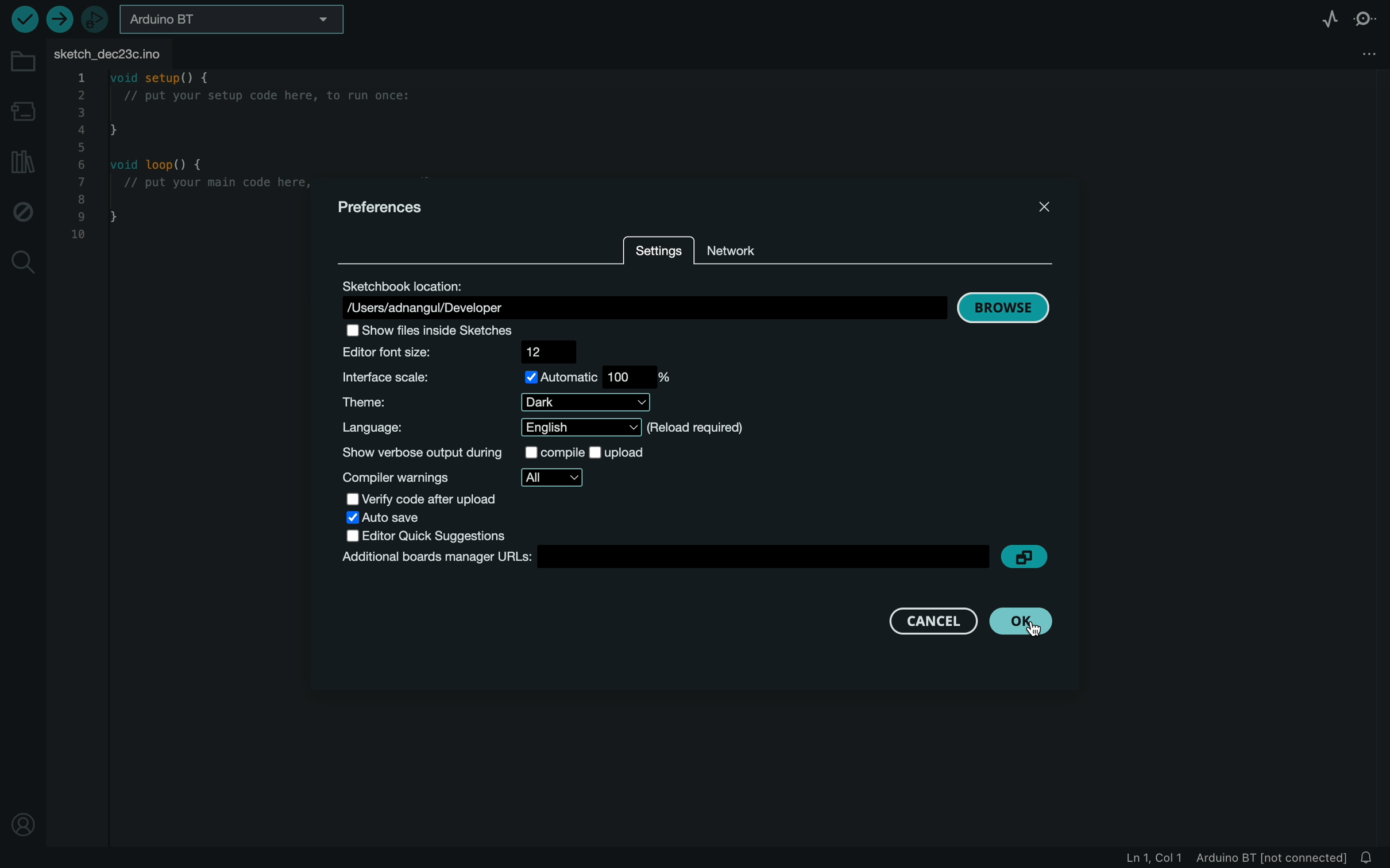 The height and width of the screenshot is (868, 1390). I want to click on run, so click(25, 20).